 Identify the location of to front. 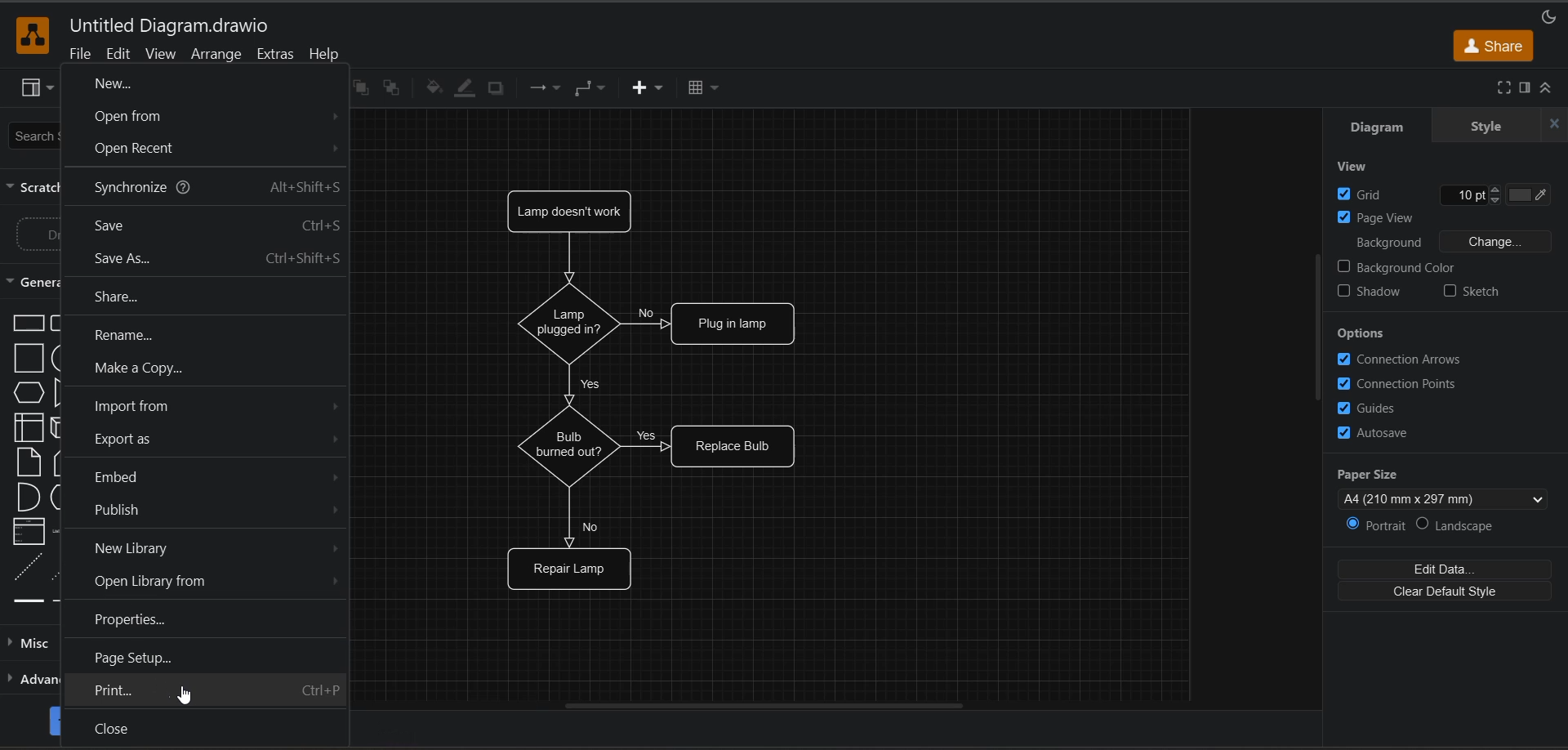
(358, 86).